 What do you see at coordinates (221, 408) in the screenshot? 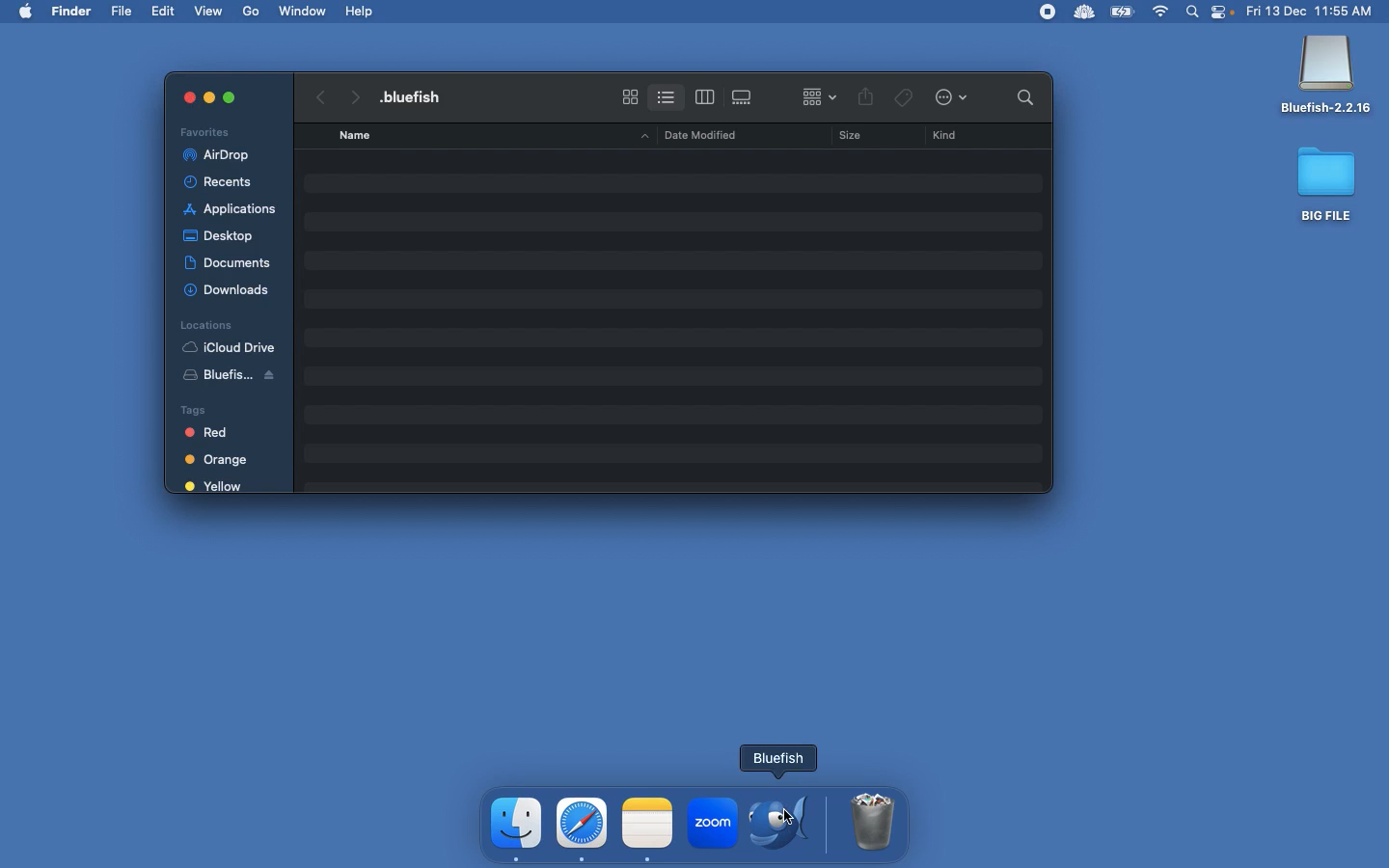
I see `Tags` at bounding box center [221, 408].